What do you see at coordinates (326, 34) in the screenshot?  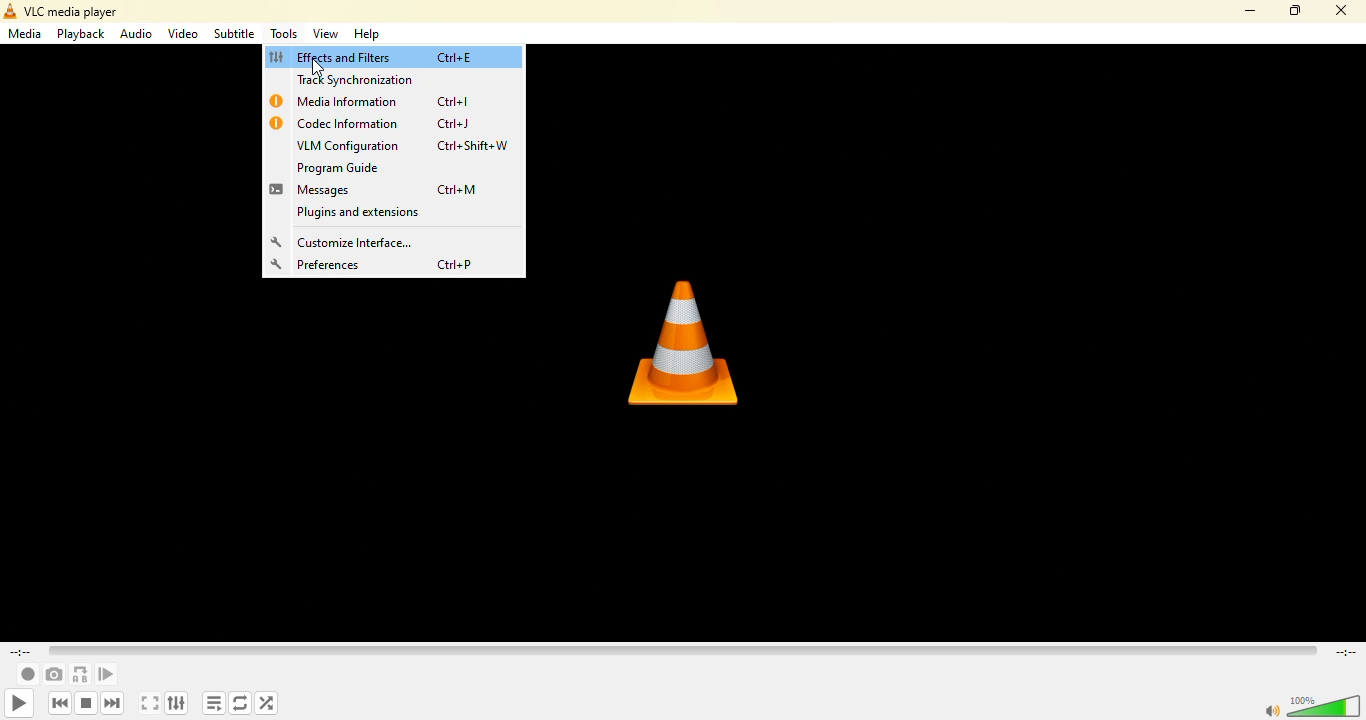 I see `view` at bounding box center [326, 34].